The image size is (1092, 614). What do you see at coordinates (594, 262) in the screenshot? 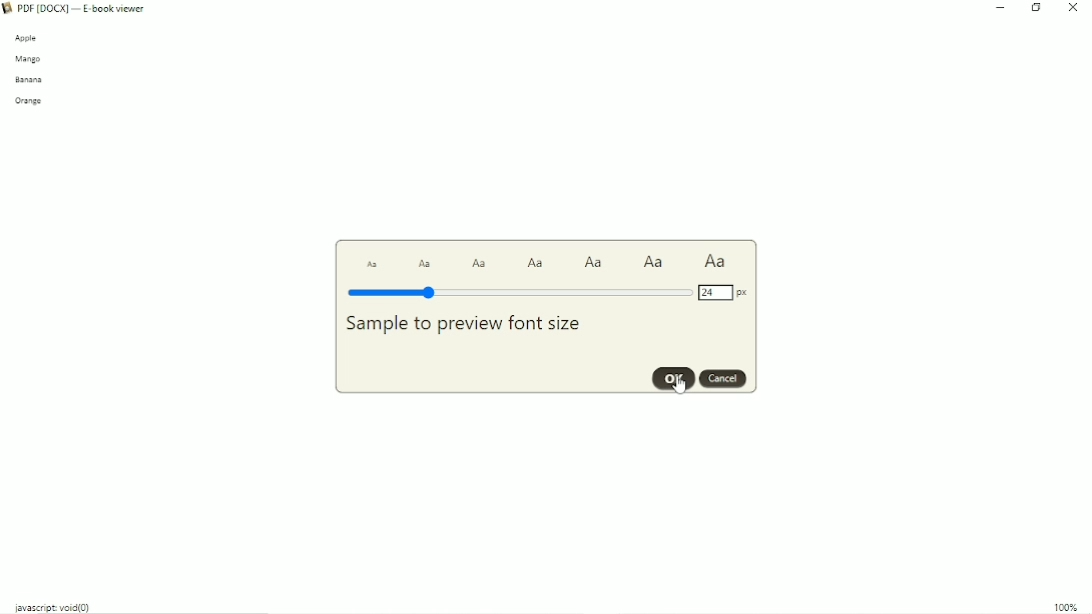
I see `Text size` at bounding box center [594, 262].